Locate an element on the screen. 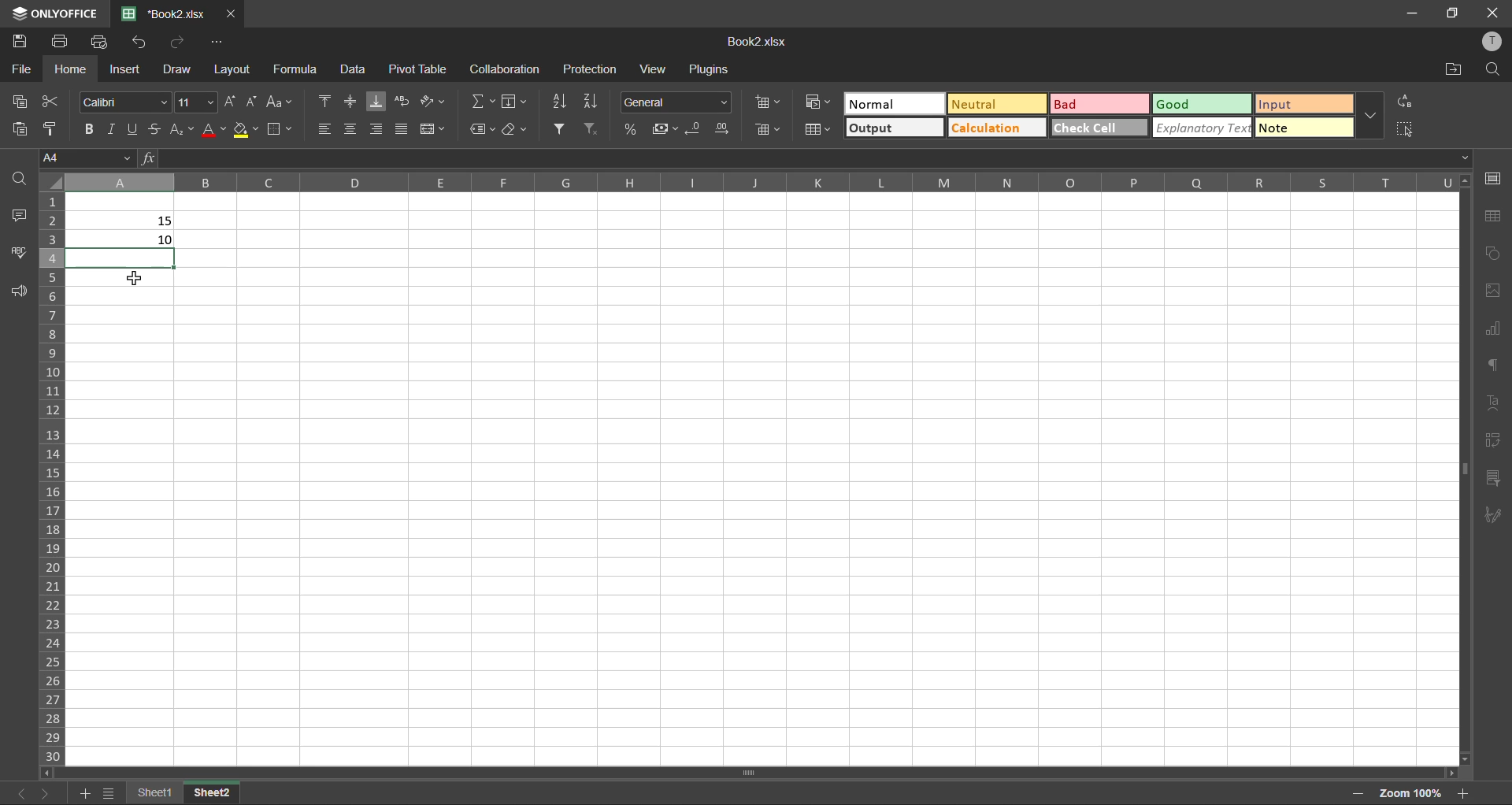  column names in alphabets  is located at coordinates (764, 182).